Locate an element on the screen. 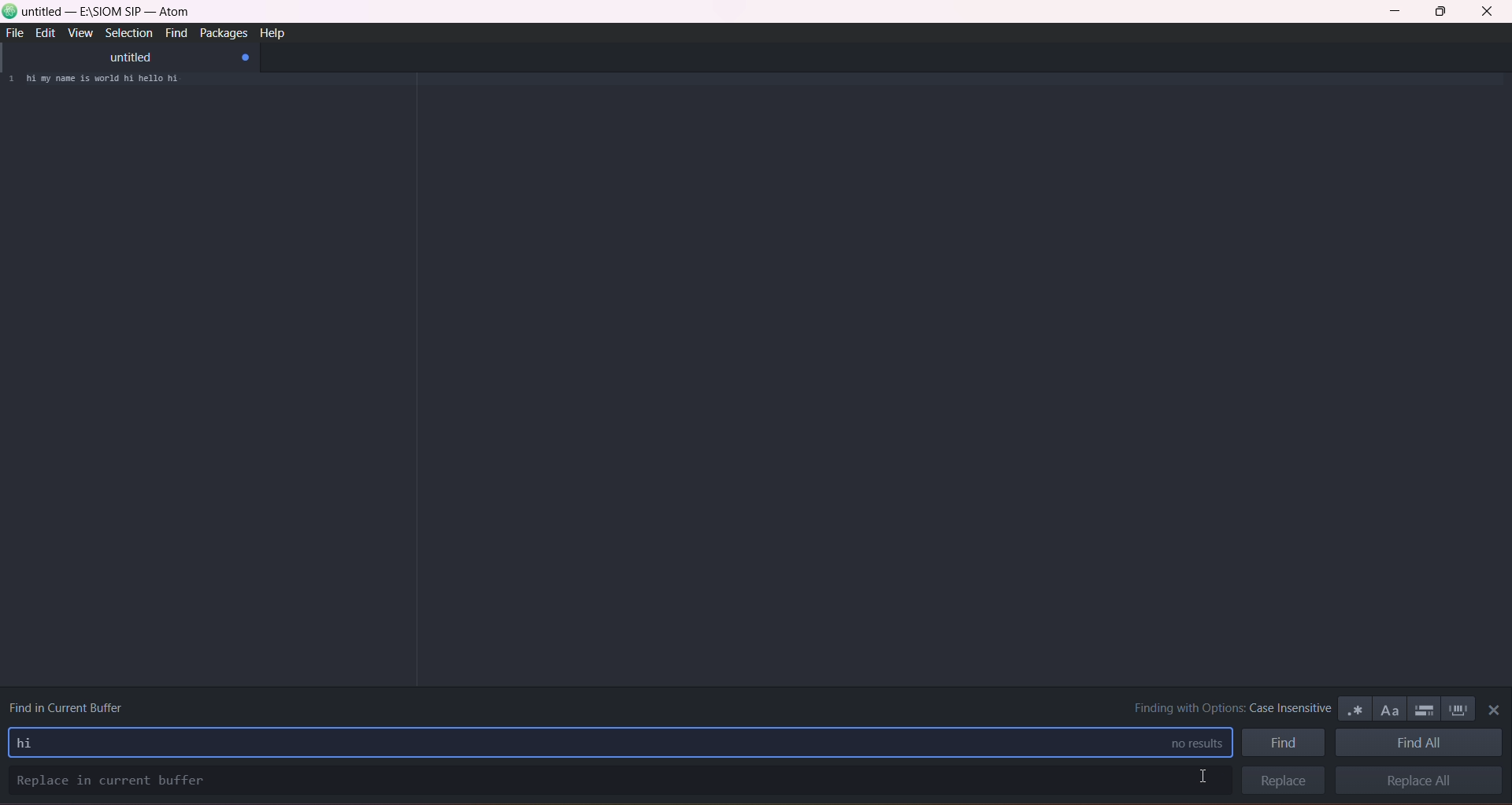  close tab is located at coordinates (246, 58).